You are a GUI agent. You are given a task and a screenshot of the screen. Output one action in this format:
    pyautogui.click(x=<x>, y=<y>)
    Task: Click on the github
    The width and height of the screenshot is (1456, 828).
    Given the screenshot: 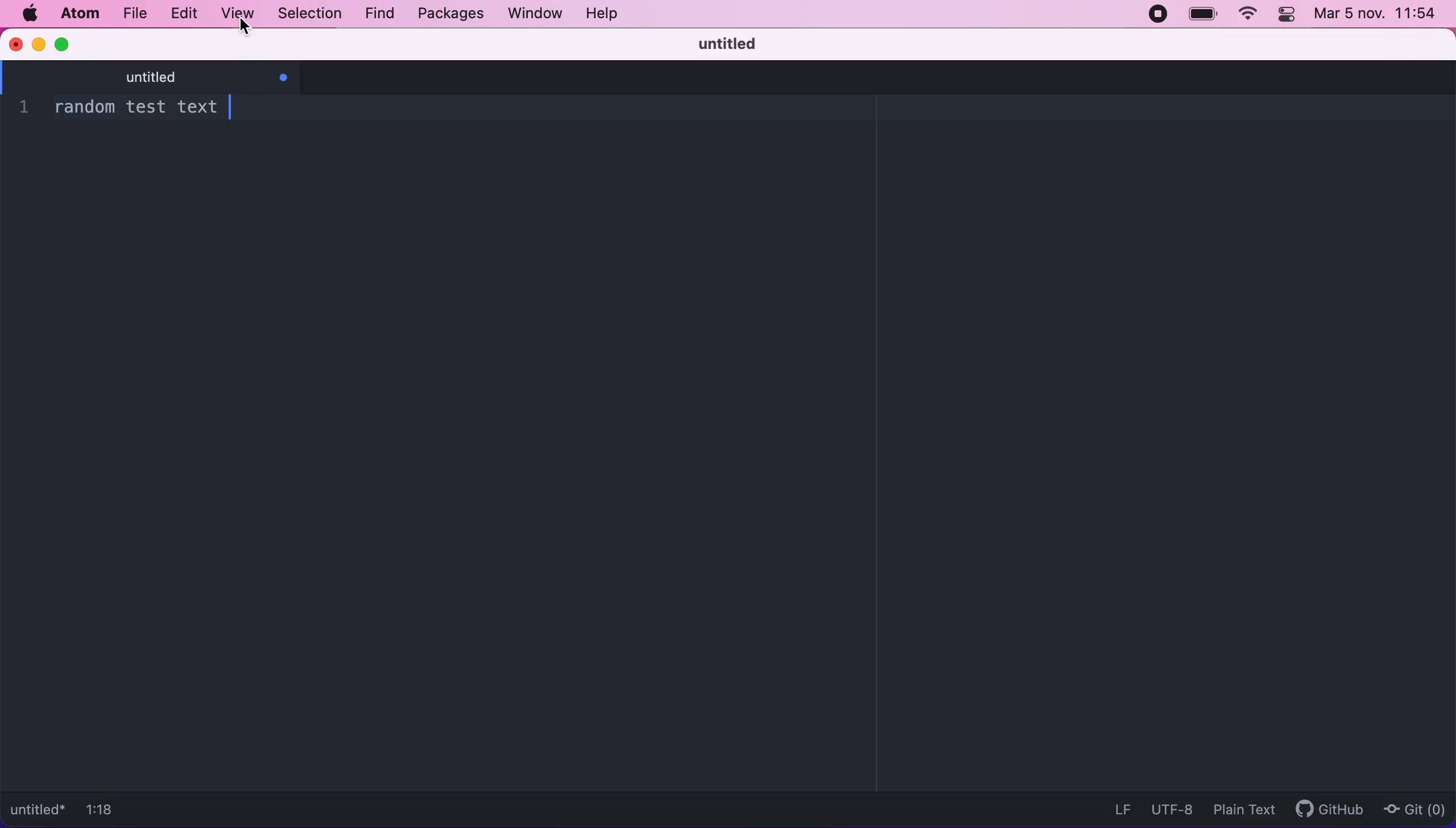 What is the action you would take?
    pyautogui.click(x=1324, y=811)
    